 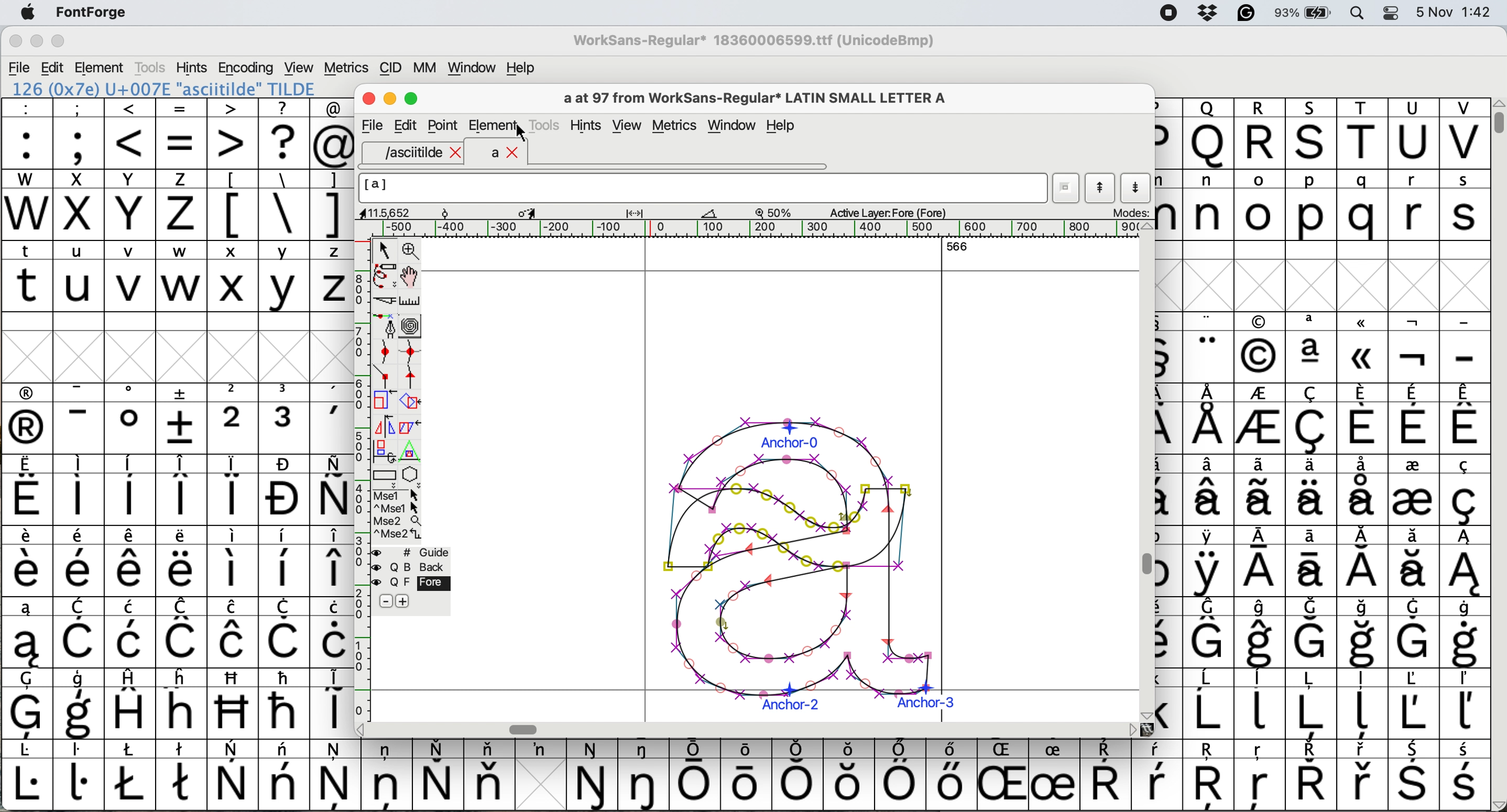 What do you see at coordinates (386, 302) in the screenshot?
I see `cut splines in two` at bounding box center [386, 302].